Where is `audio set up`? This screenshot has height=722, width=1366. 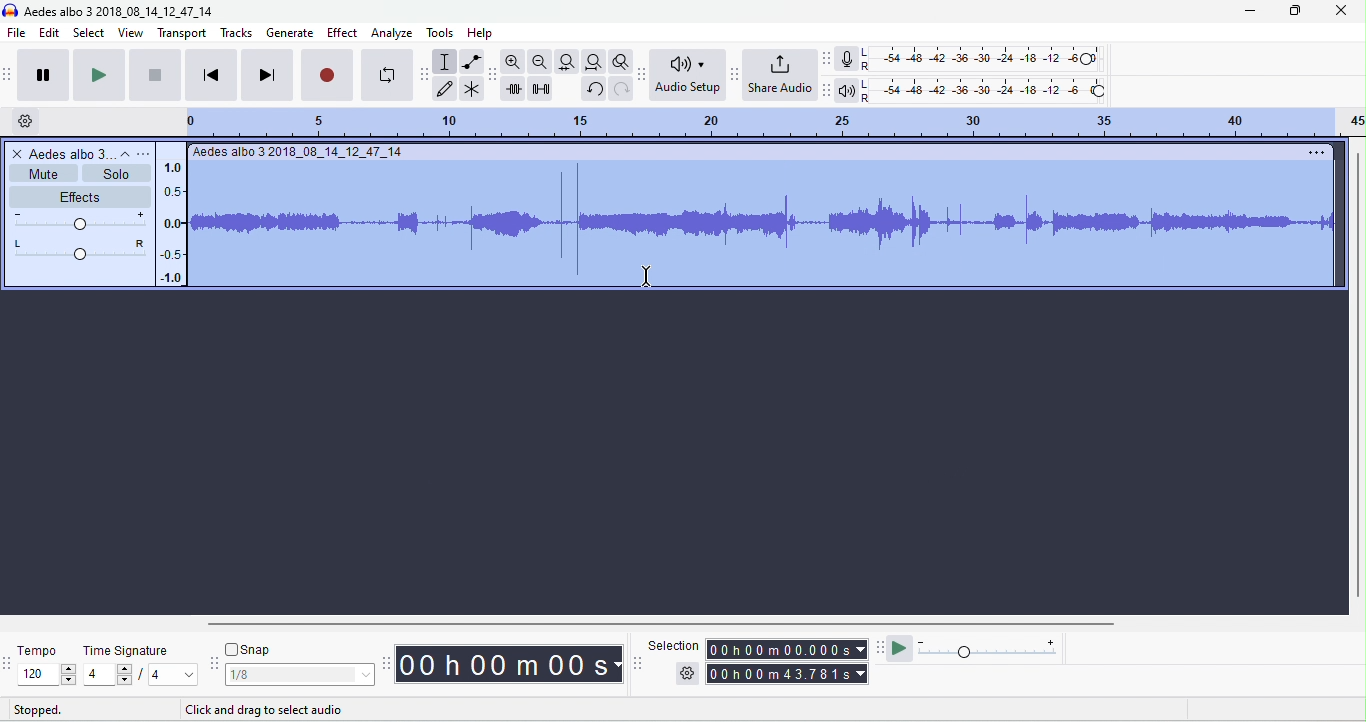 audio set up is located at coordinates (686, 75).